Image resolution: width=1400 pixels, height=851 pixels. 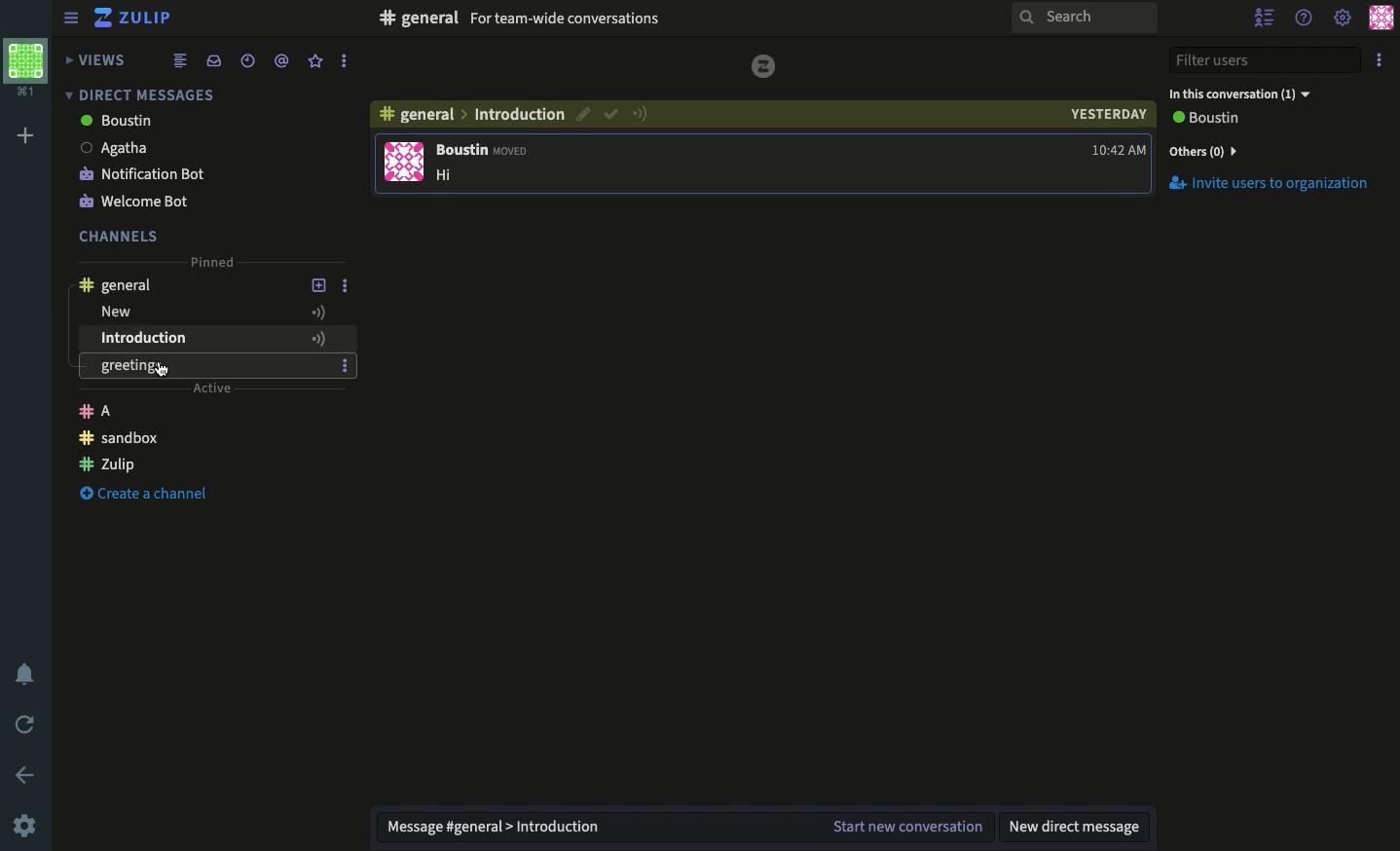 What do you see at coordinates (404, 162) in the screenshot?
I see `Display picture` at bounding box center [404, 162].